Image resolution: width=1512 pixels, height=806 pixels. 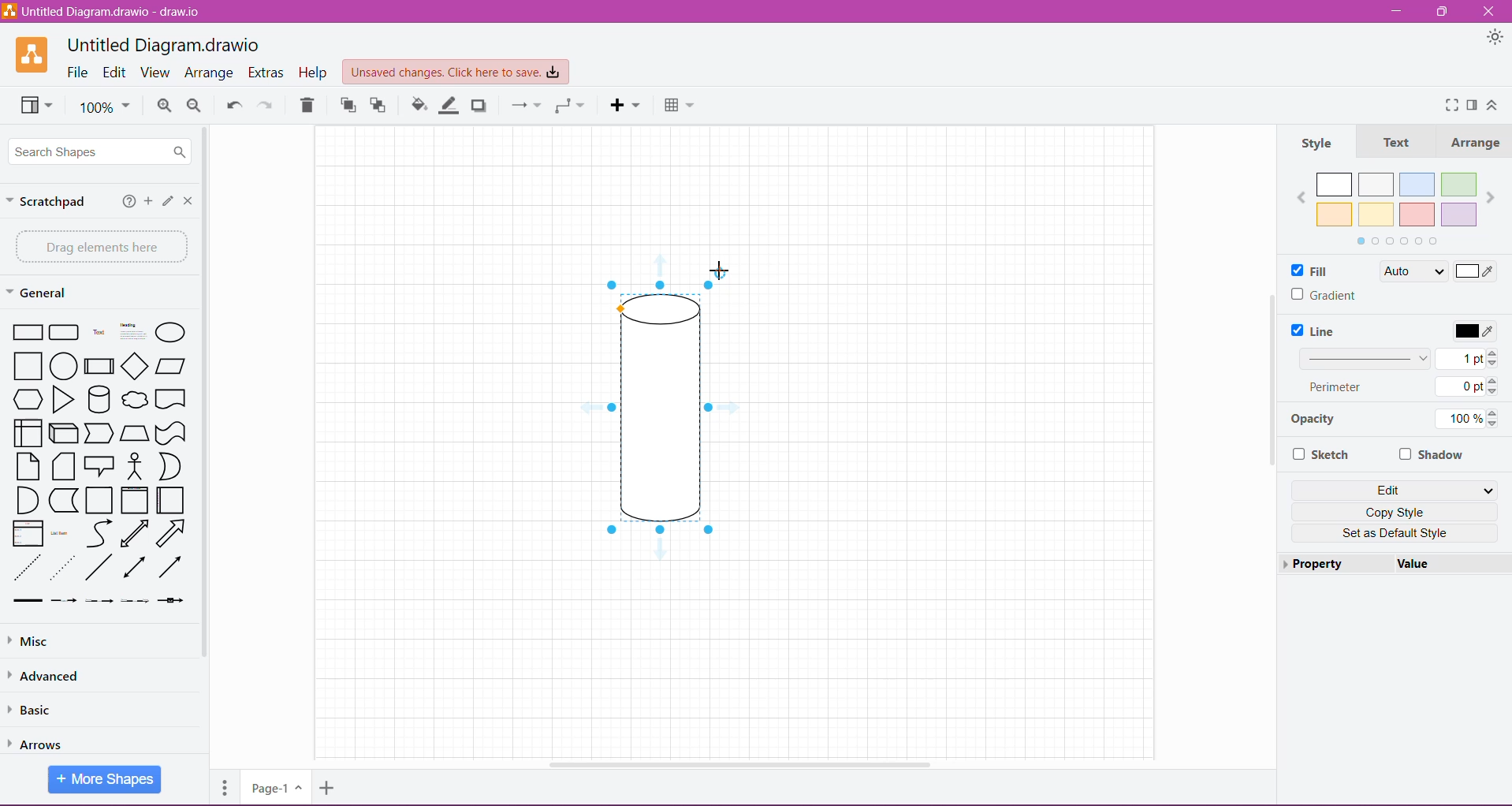 I want to click on Shadow - Click to enable/disable, so click(x=1432, y=453).